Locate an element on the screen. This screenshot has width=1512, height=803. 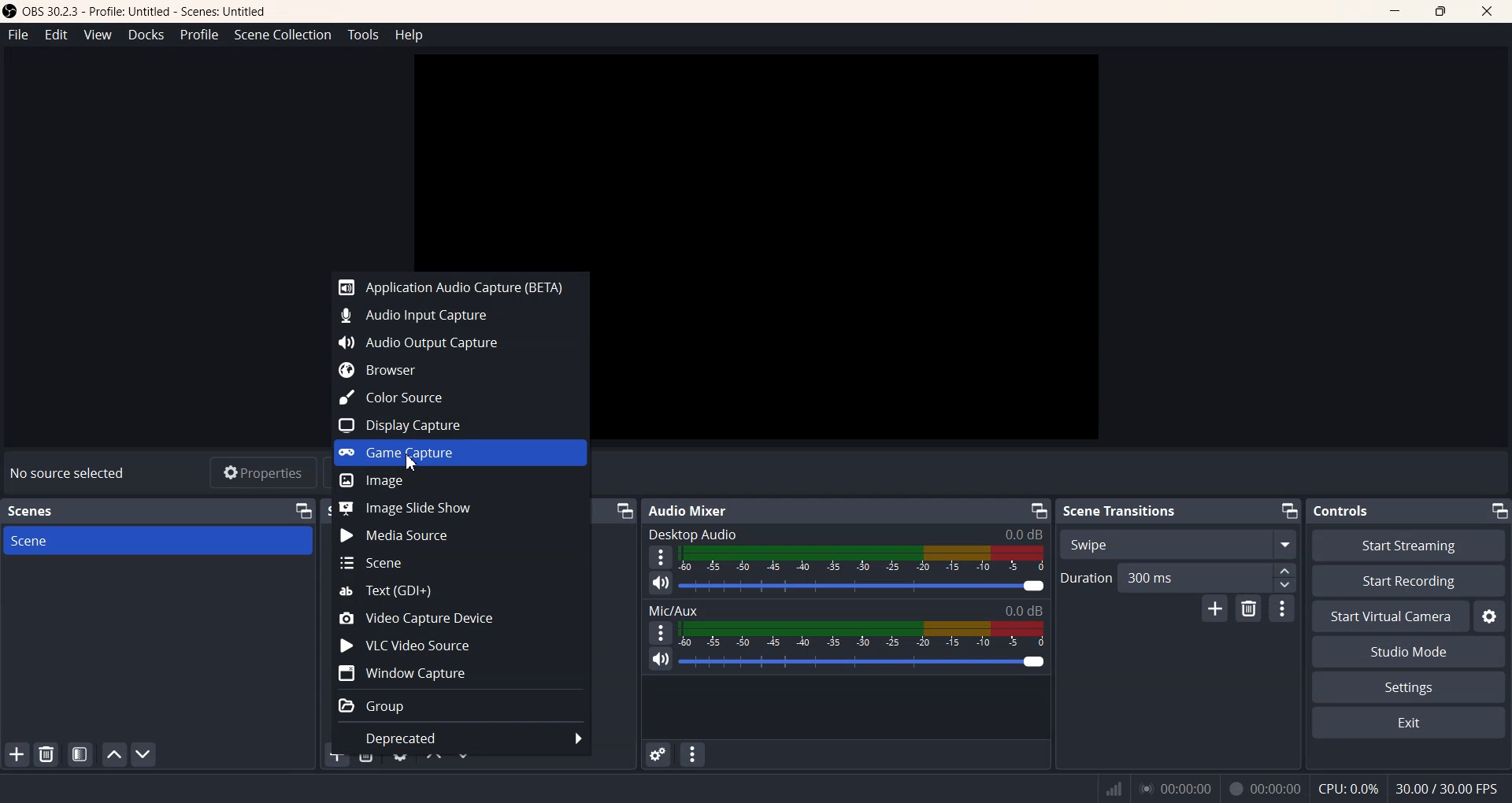
Add configurable Transistion is located at coordinates (1215, 609).